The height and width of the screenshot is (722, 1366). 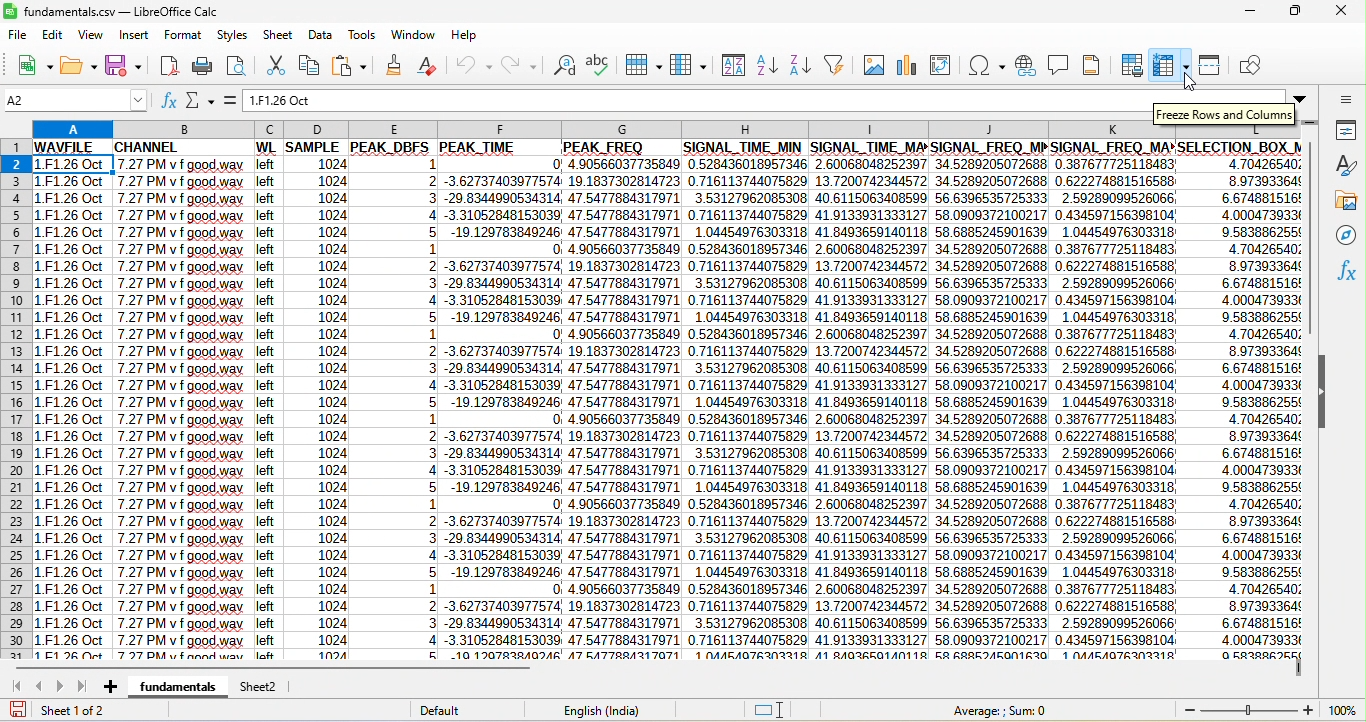 I want to click on drag to view columns, so click(x=39, y=686).